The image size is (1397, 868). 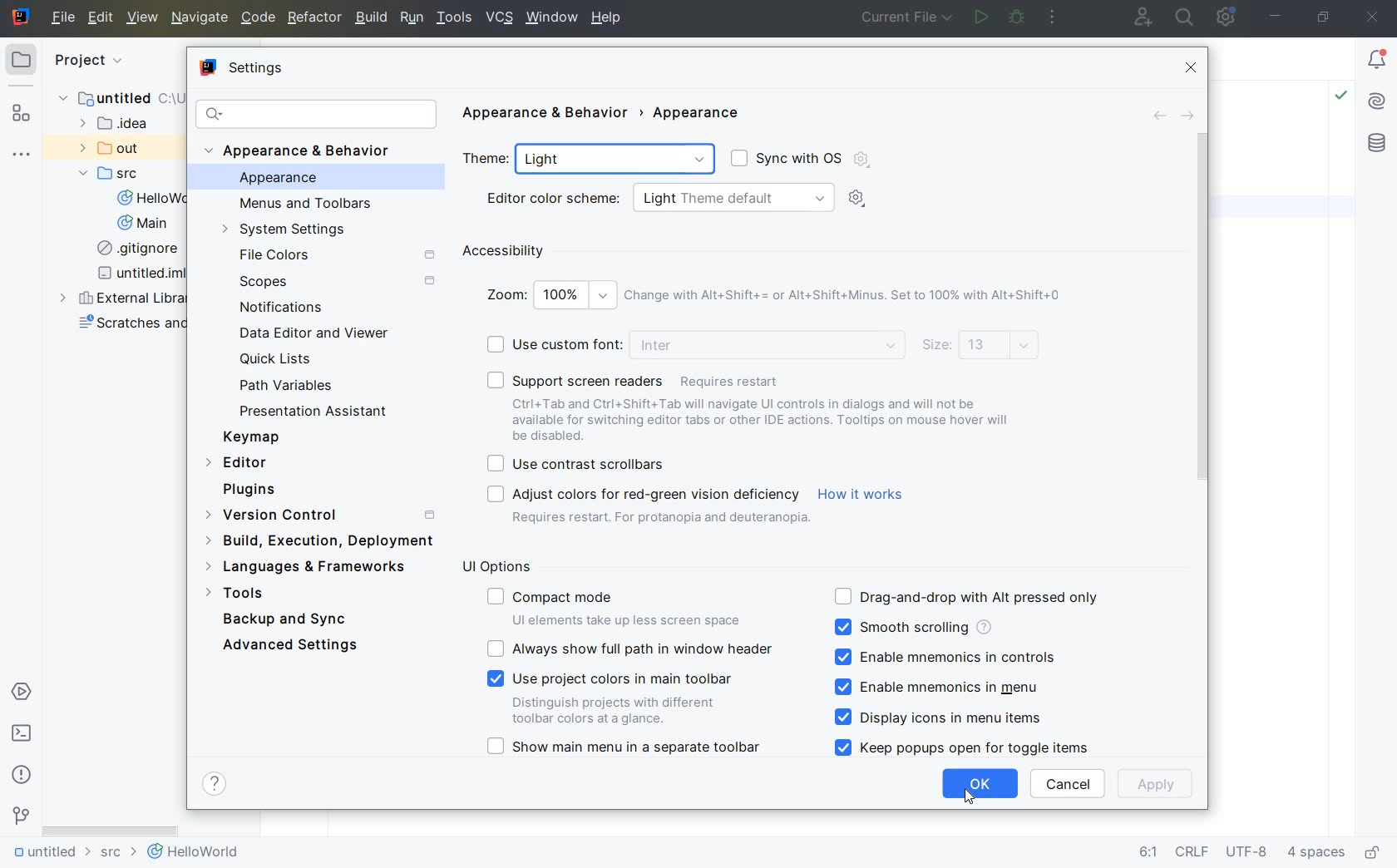 What do you see at coordinates (580, 250) in the screenshot?
I see `Accessibility` at bounding box center [580, 250].